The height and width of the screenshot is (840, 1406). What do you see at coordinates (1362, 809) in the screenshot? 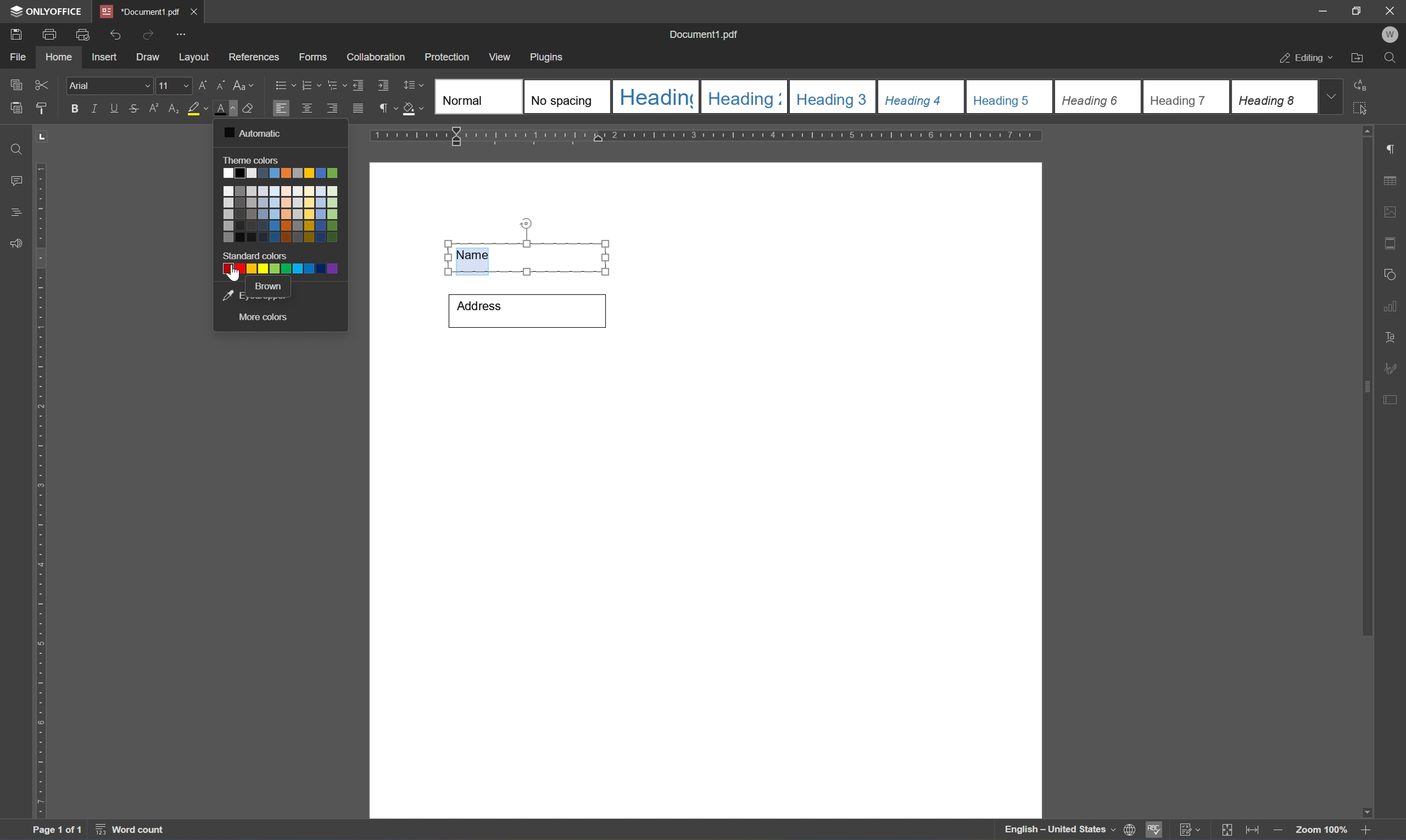
I see `scroll down` at bounding box center [1362, 809].